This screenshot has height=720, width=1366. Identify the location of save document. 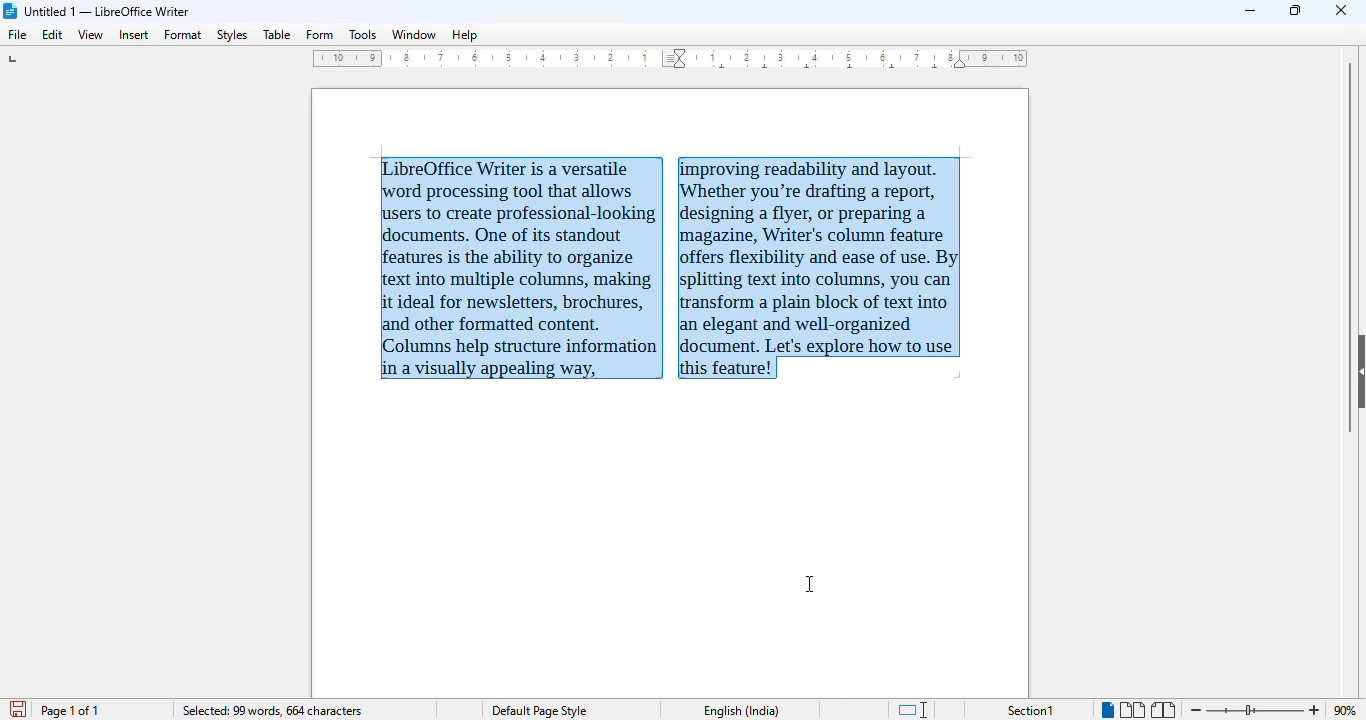
(16, 706).